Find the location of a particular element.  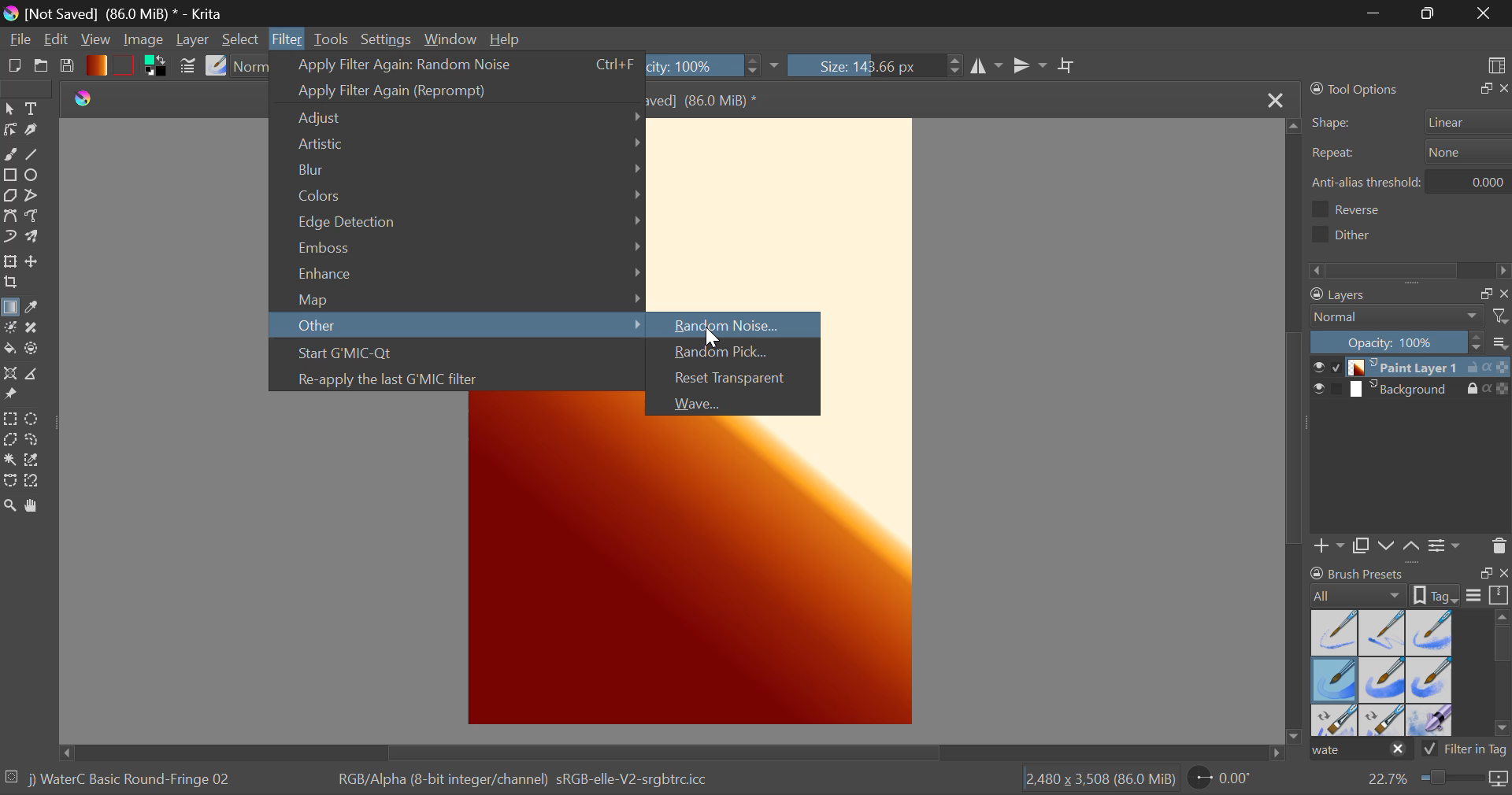

Fill is located at coordinates (11, 349).